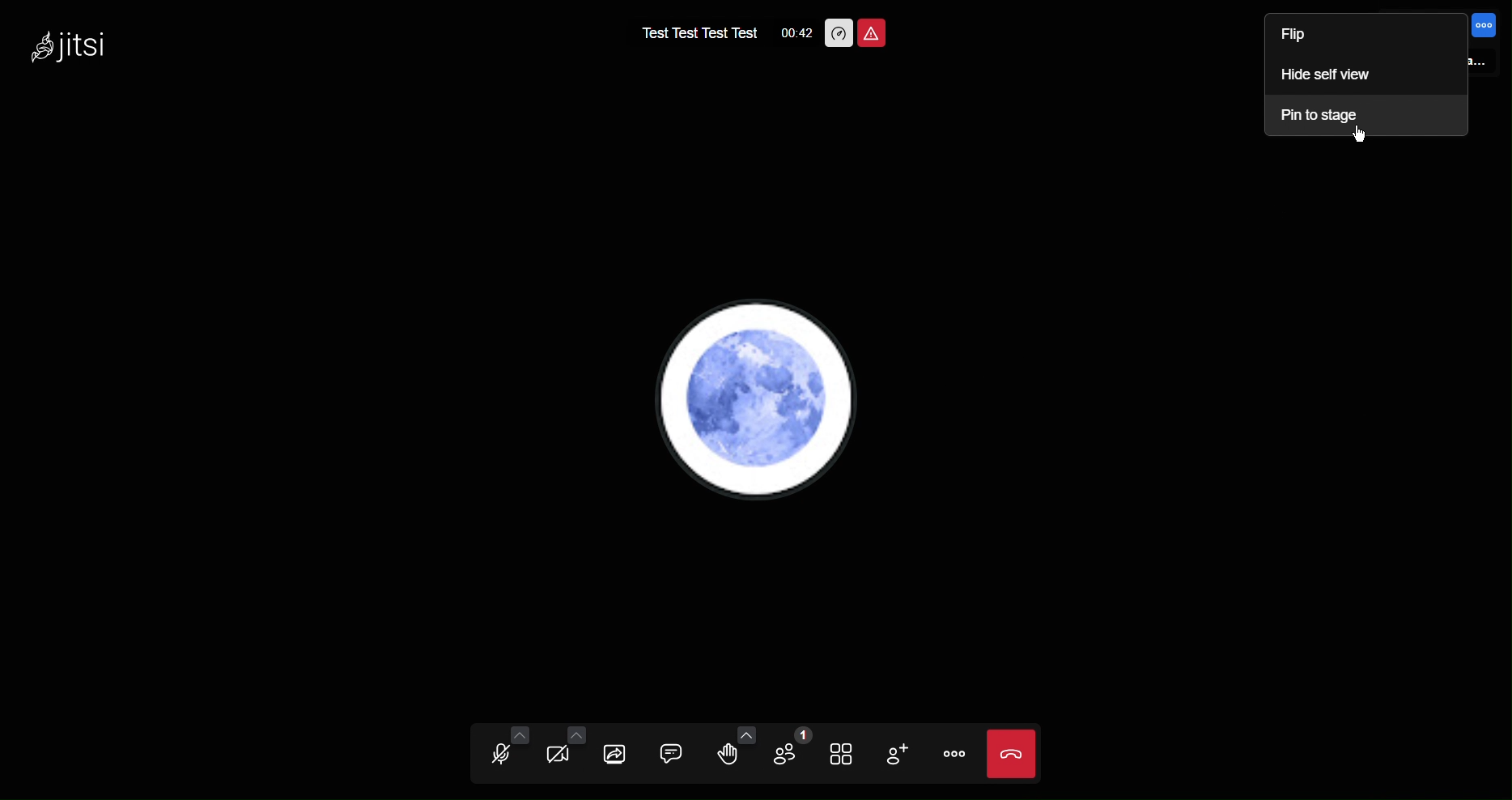  Describe the element at coordinates (1327, 77) in the screenshot. I see `Hide self view` at that location.